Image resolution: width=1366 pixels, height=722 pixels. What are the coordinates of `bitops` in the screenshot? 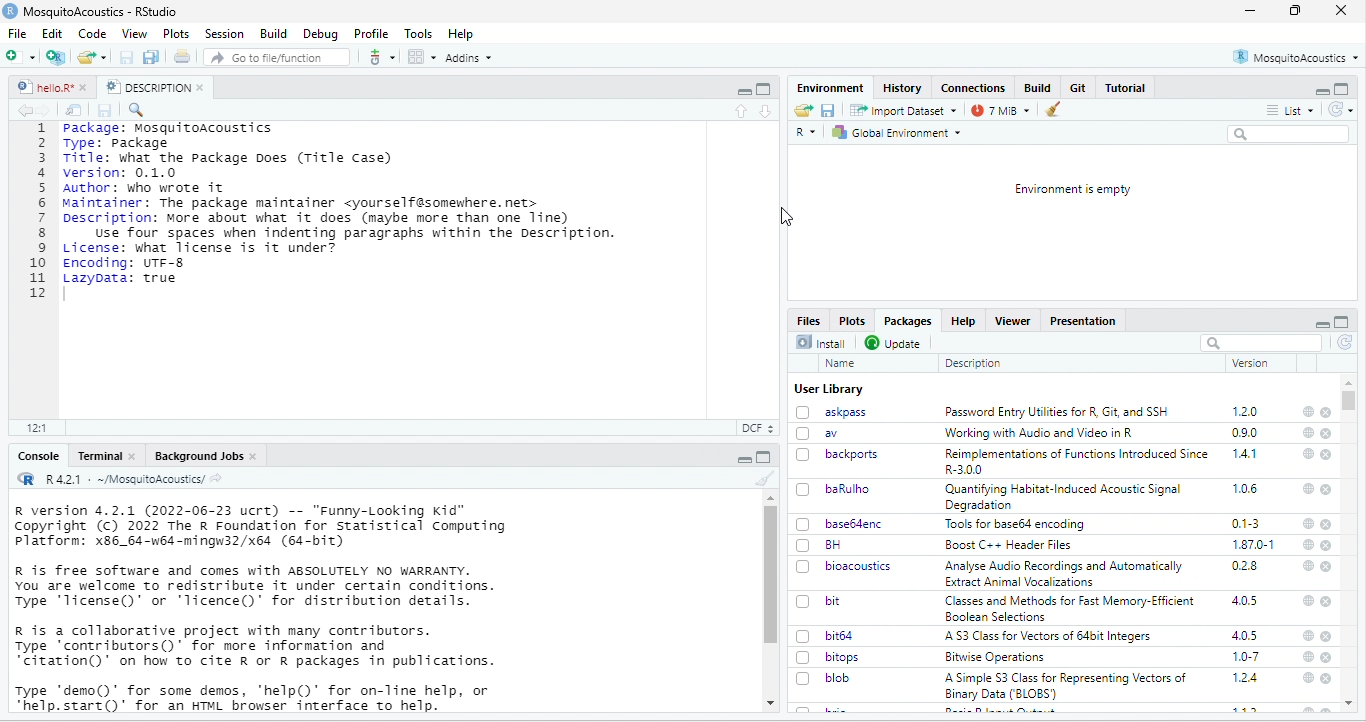 It's located at (830, 658).